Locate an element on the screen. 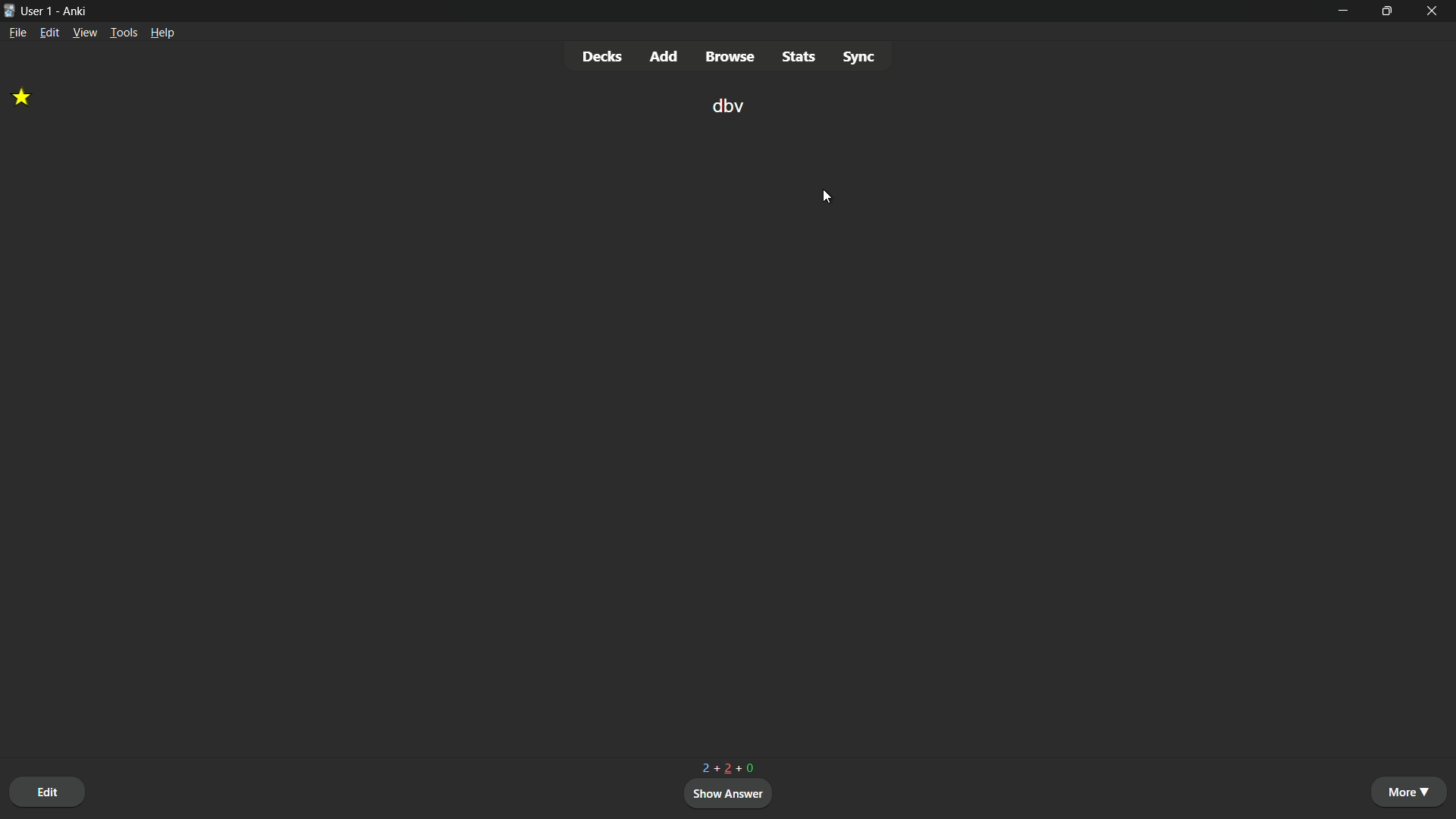 Image resolution: width=1456 pixels, height=819 pixels. add is located at coordinates (667, 57).